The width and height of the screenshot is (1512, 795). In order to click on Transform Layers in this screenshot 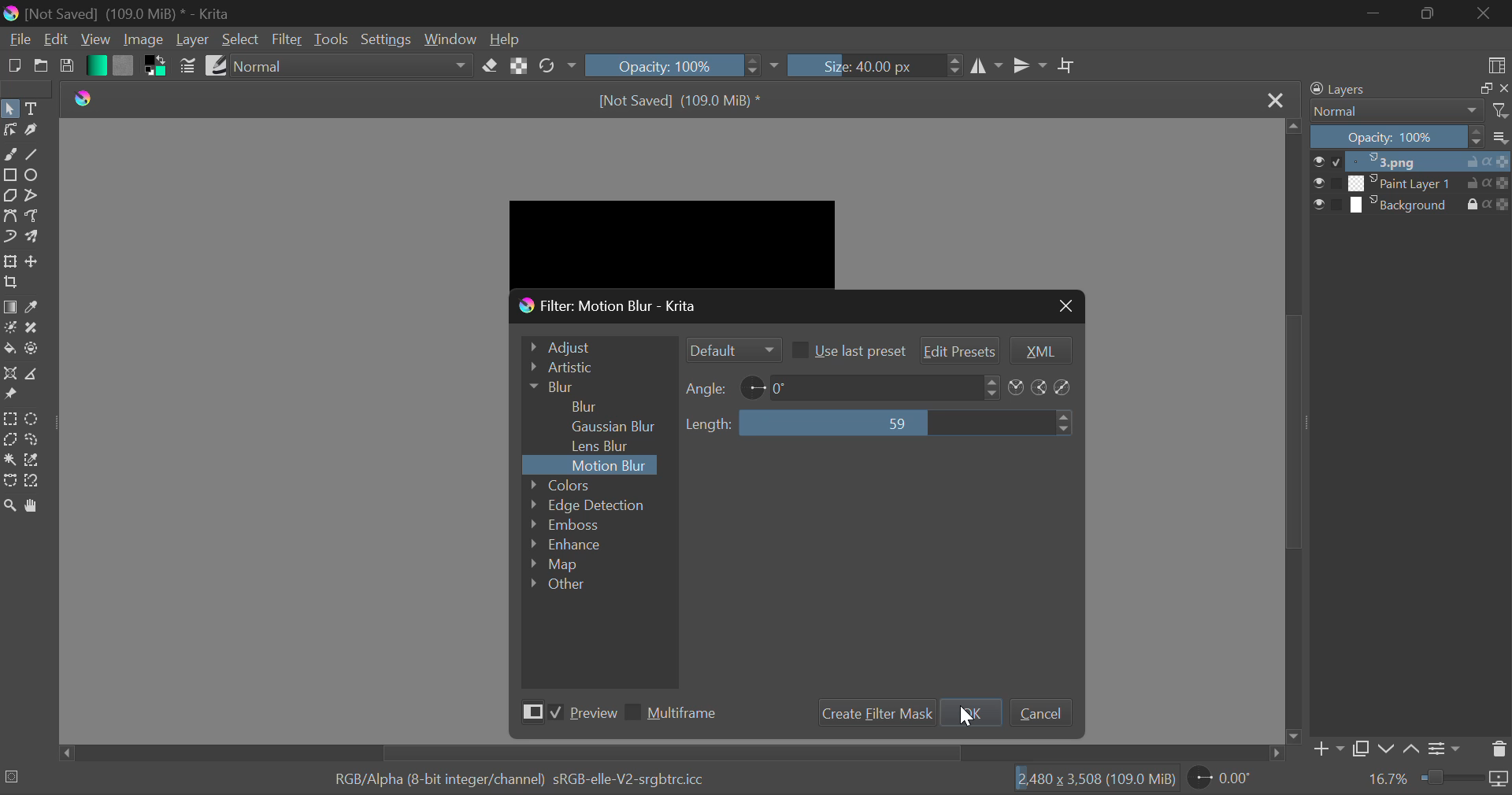, I will do `click(10, 262)`.